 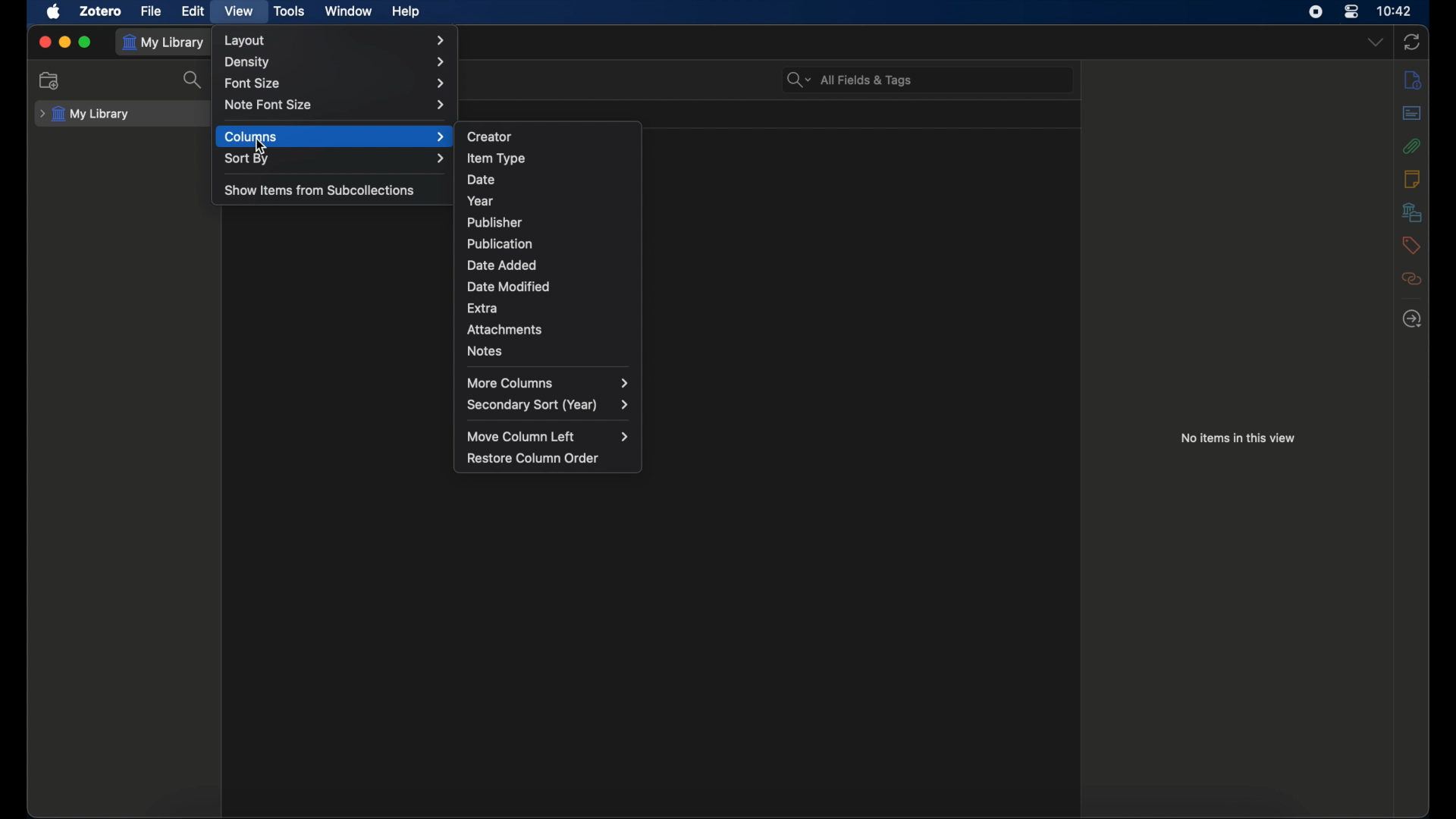 I want to click on publisher, so click(x=496, y=222).